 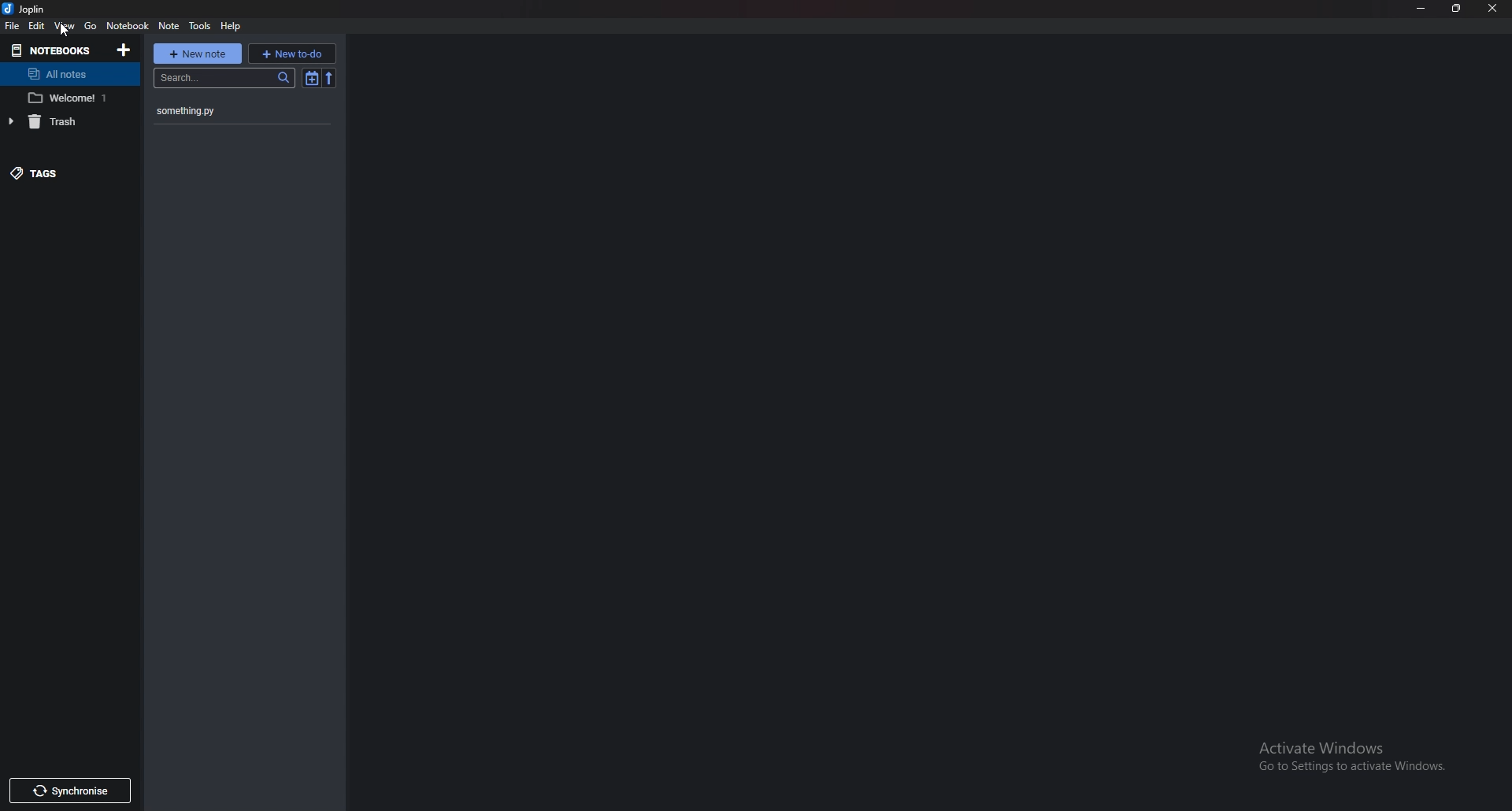 I want to click on Toggle sort order, so click(x=310, y=78).